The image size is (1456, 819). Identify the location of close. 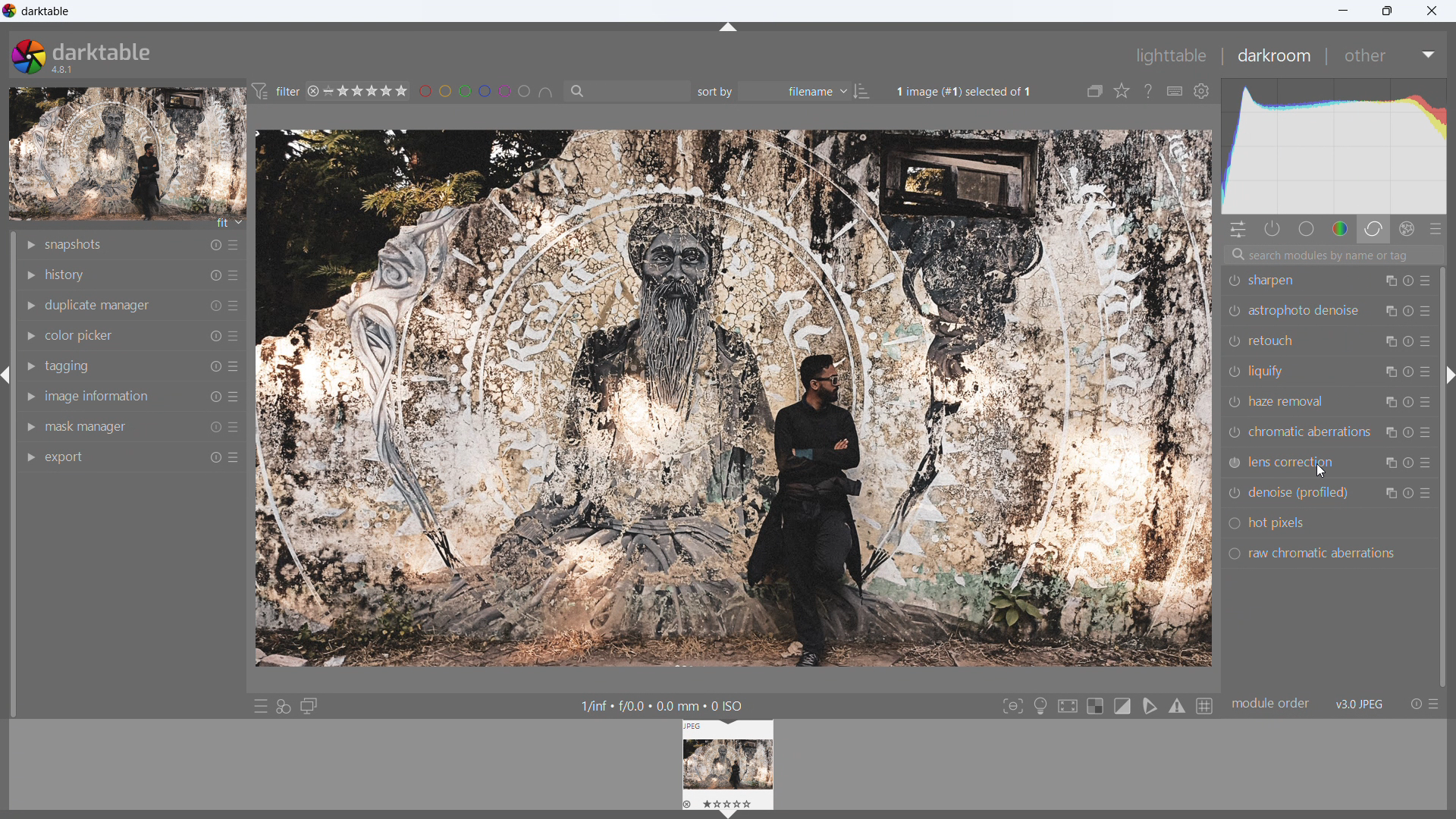
(1431, 11).